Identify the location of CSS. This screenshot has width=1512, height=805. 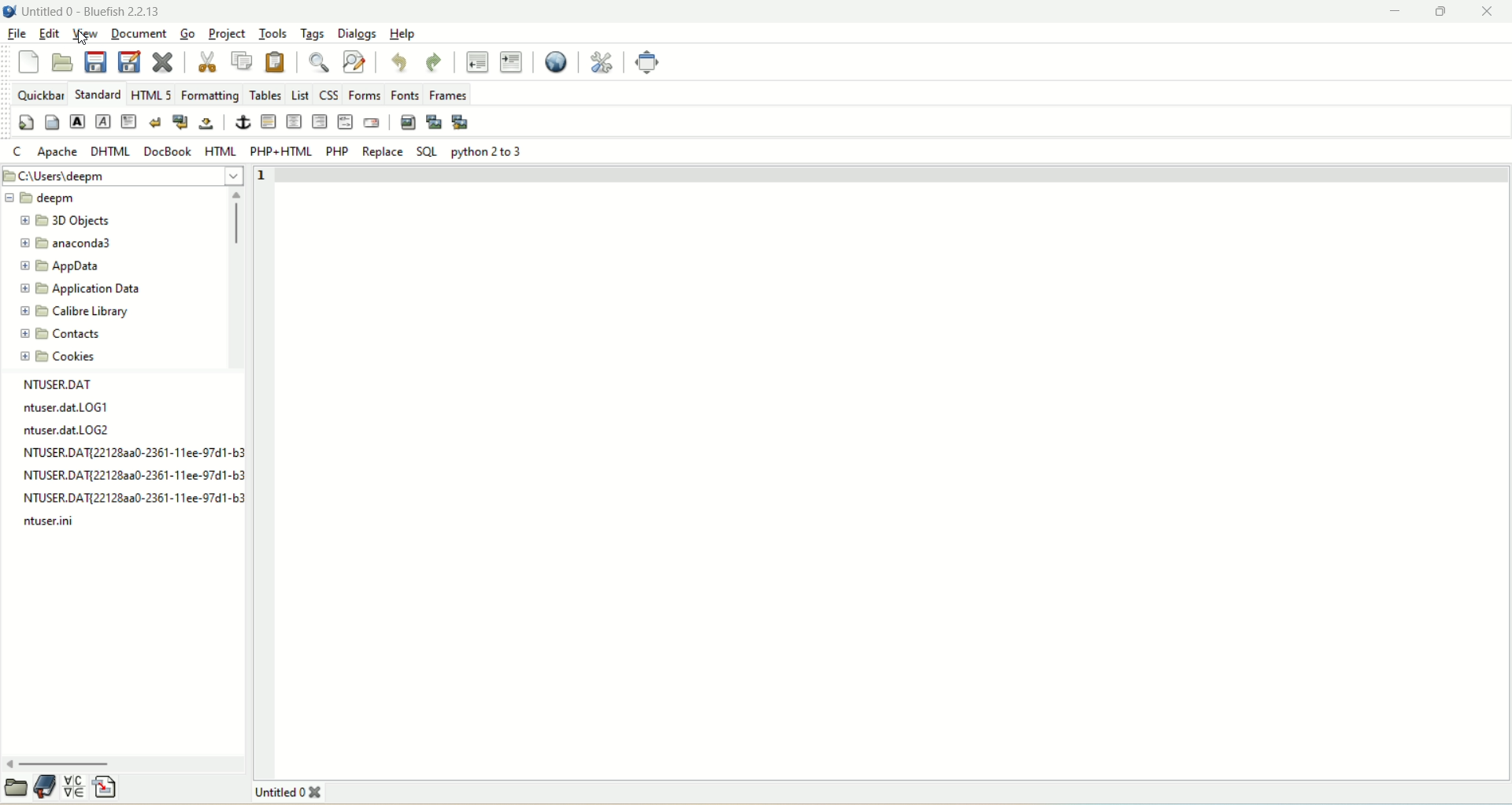
(328, 93).